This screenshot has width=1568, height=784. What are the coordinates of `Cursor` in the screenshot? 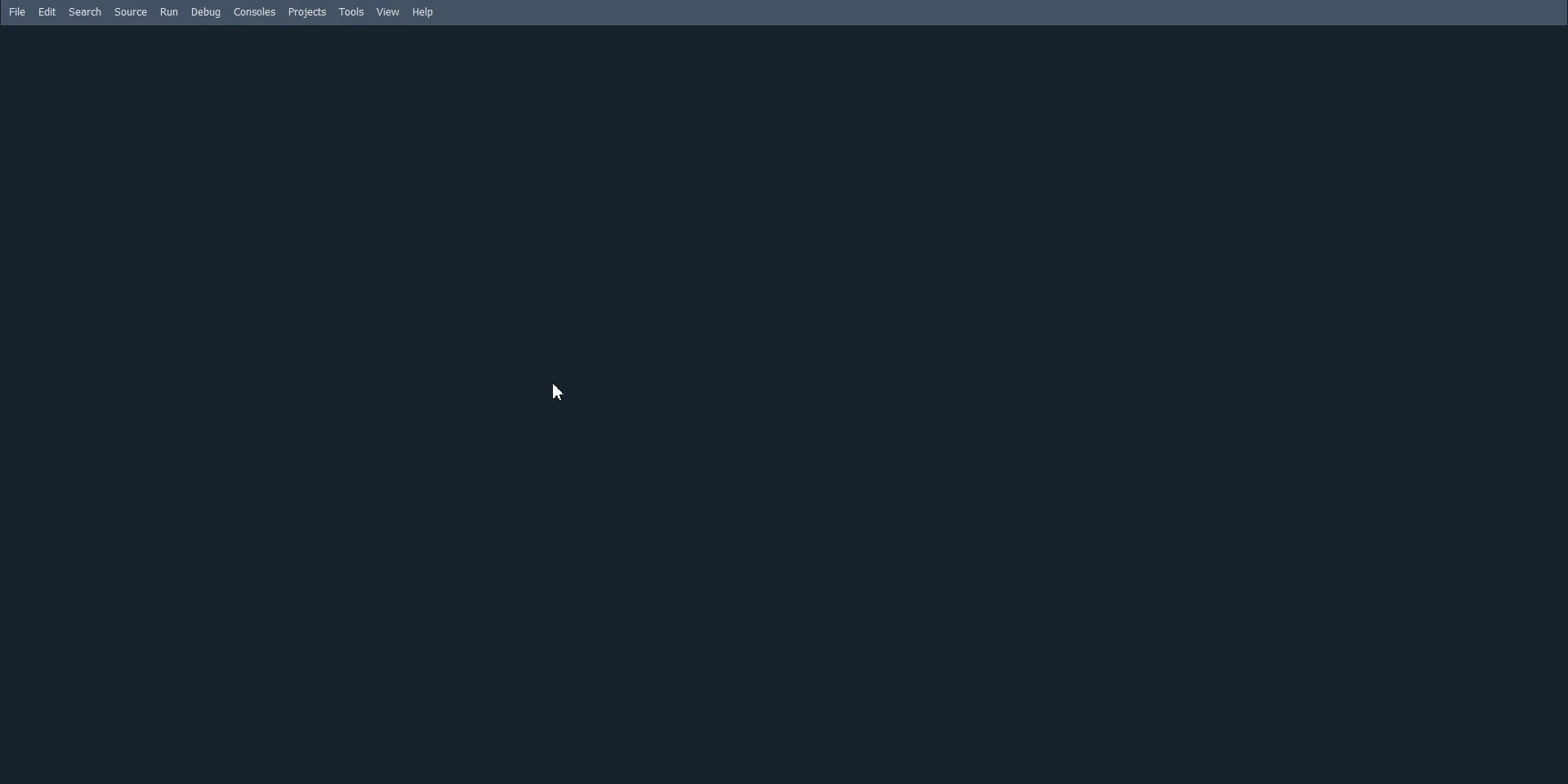 It's located at (559, 392).